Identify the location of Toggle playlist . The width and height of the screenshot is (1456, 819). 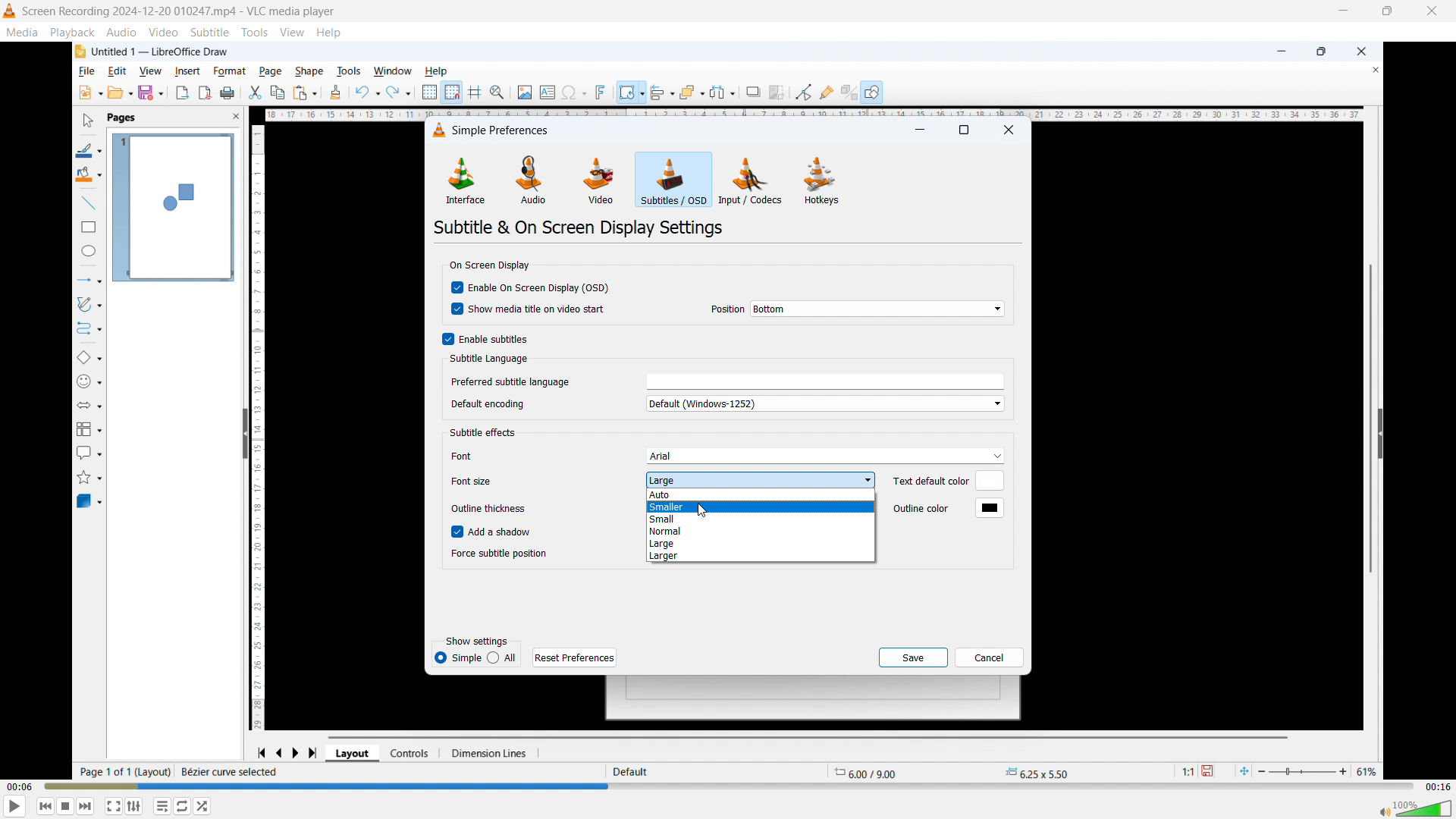
(134, 806).